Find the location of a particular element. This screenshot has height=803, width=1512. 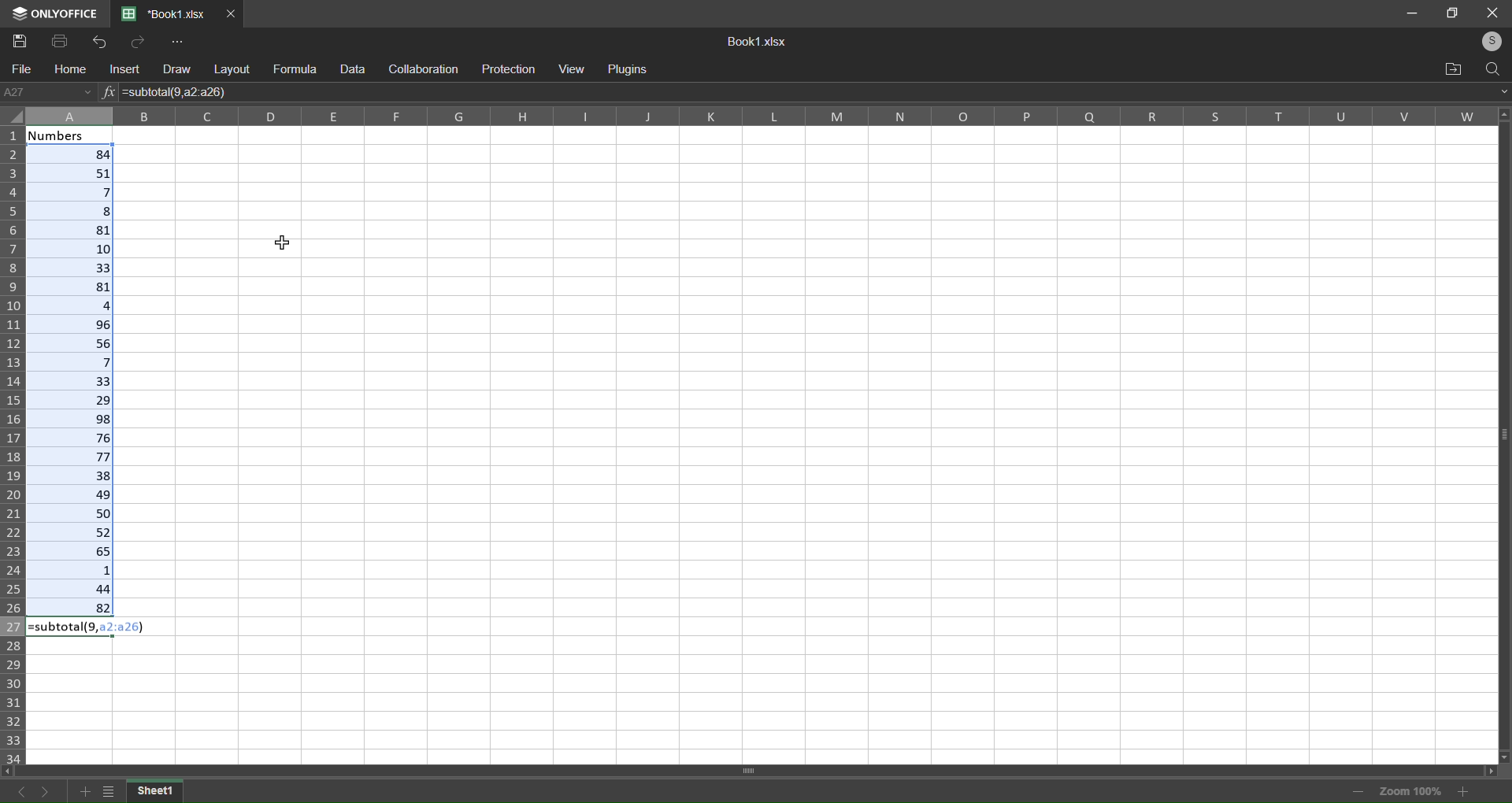

select all is located at coordinates (17, 117).